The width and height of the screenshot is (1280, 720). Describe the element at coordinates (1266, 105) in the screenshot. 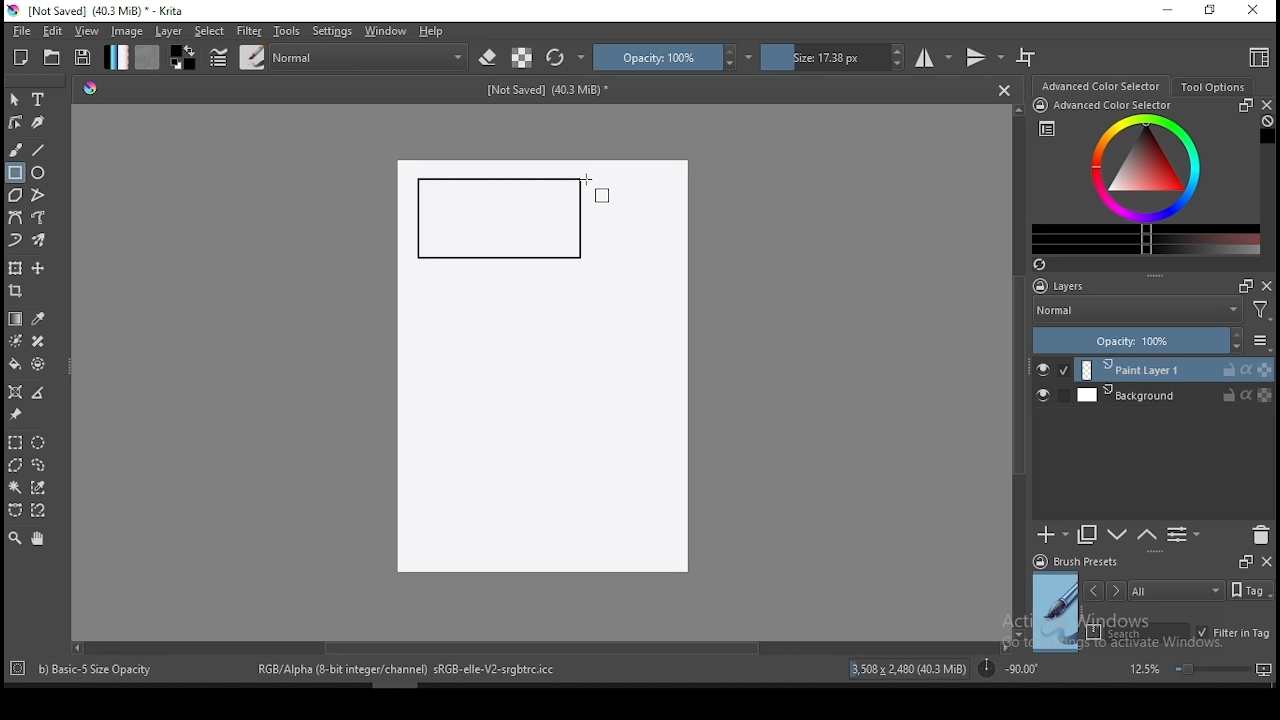

I see `close docker` at that location.